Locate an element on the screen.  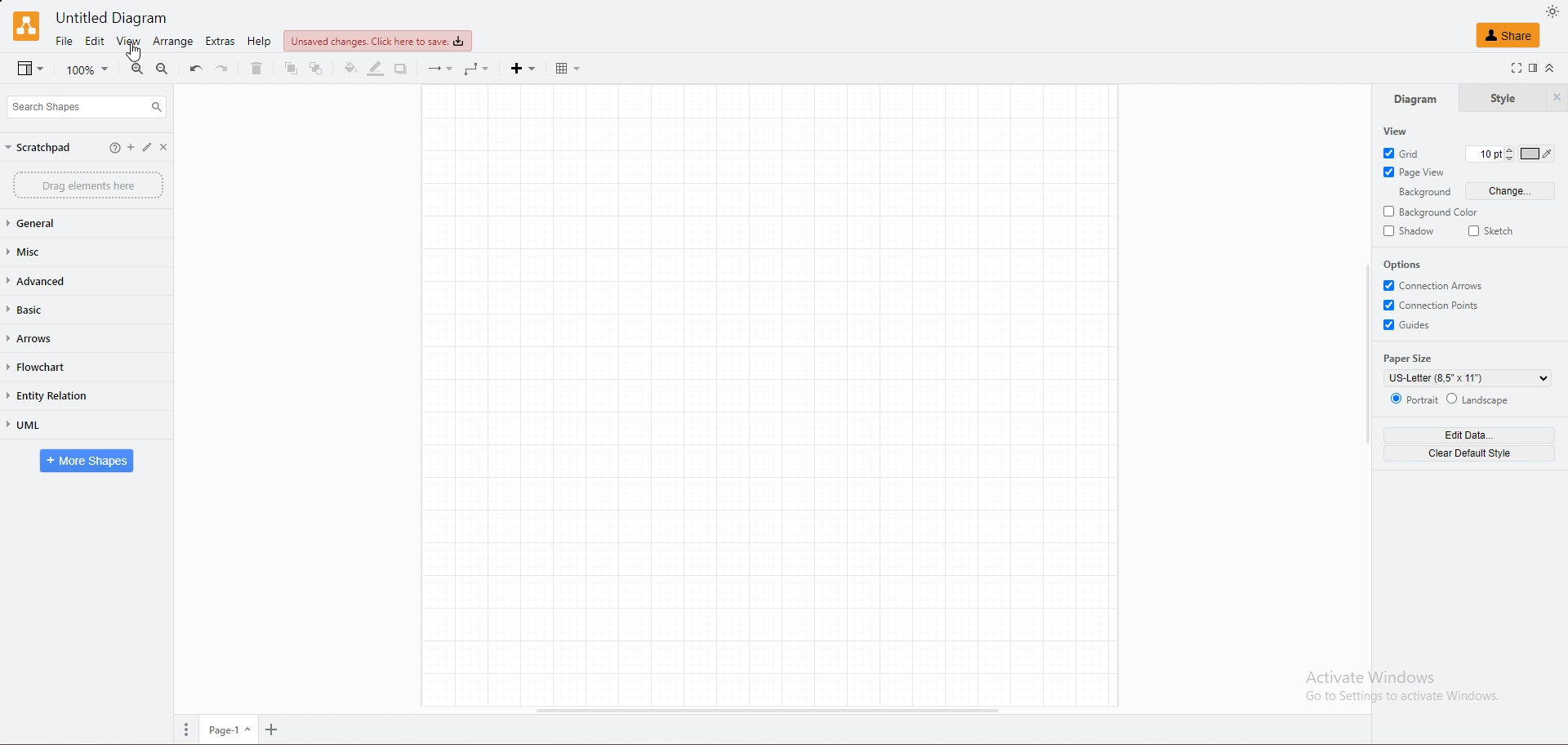
line color is located at coordinates (374, 69).